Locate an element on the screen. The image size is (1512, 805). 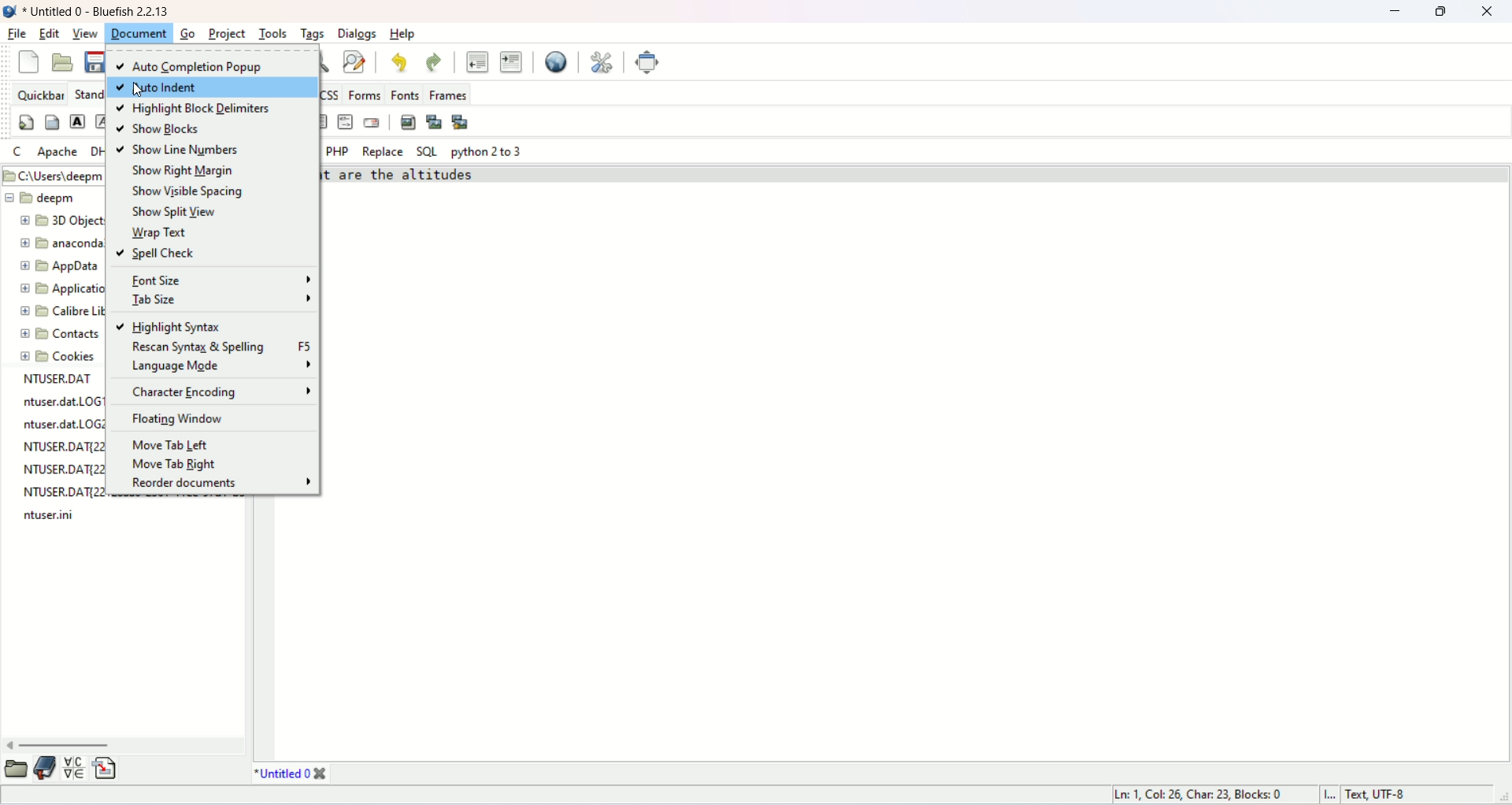
maximize is located at coordinates (1440, 13).